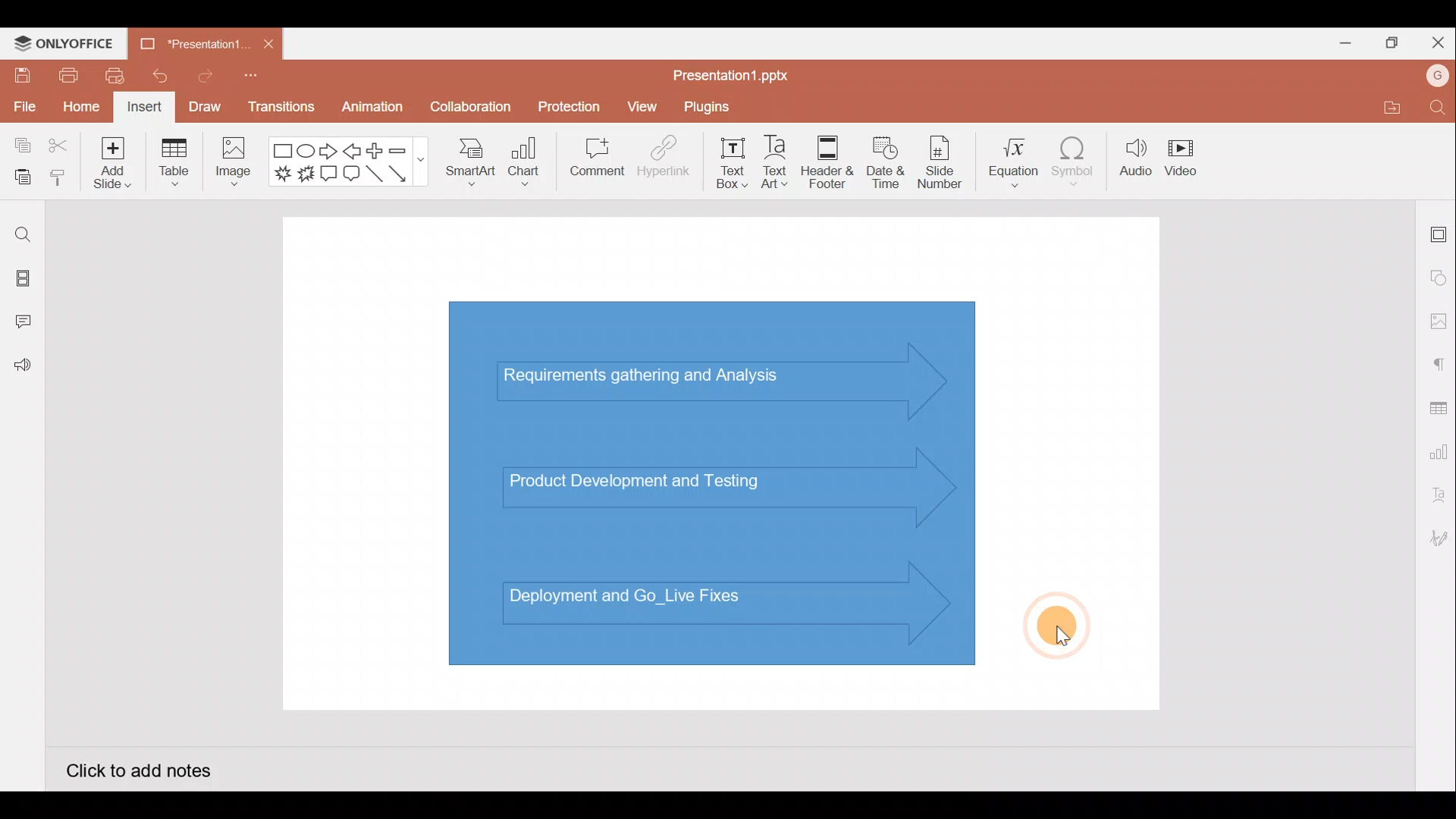  Describe the element at coordinates (1439, 107) in the screenshot. I see `Find` at that location.